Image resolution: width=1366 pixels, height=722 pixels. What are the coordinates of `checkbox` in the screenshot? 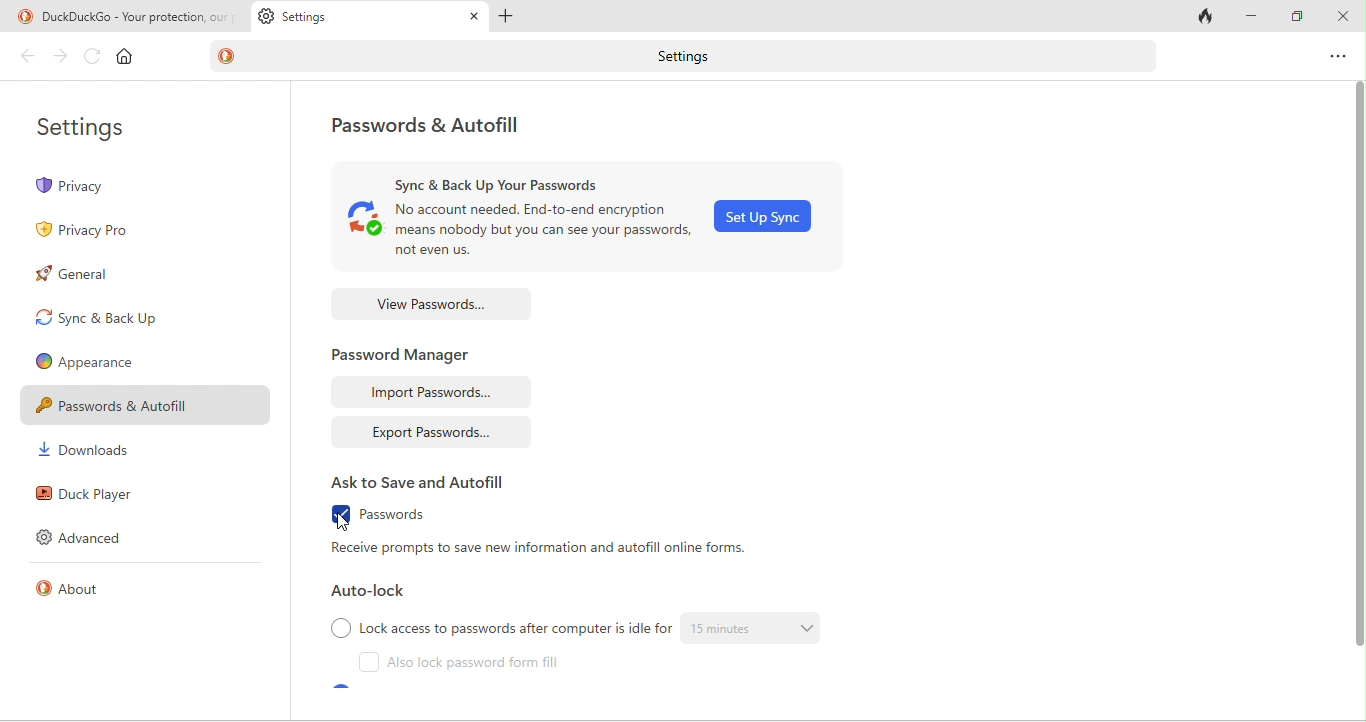 It's located at (339, 628).